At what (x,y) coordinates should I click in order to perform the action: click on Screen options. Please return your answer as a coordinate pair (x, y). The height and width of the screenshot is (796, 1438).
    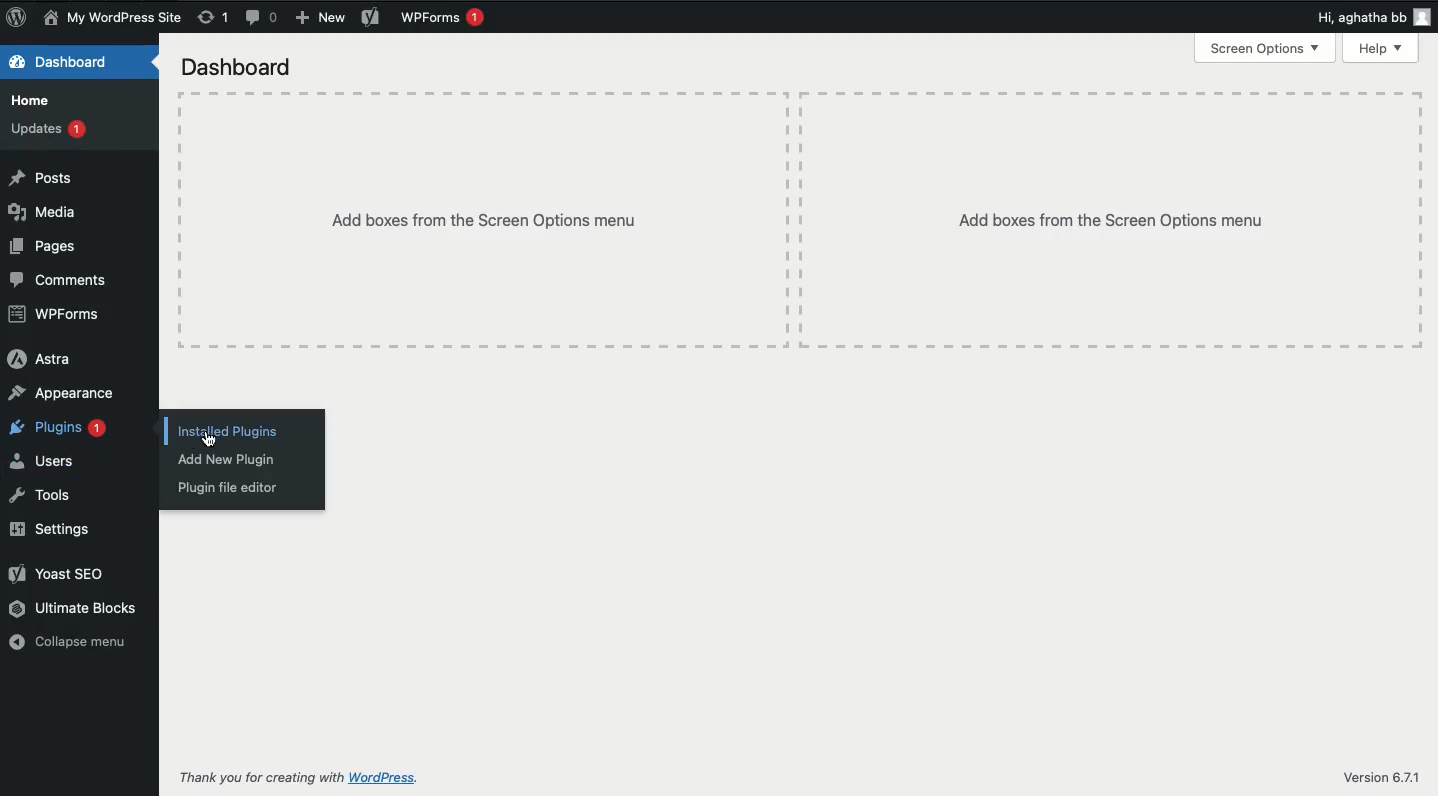
    Looking at the image, I should click on (1269, 47).